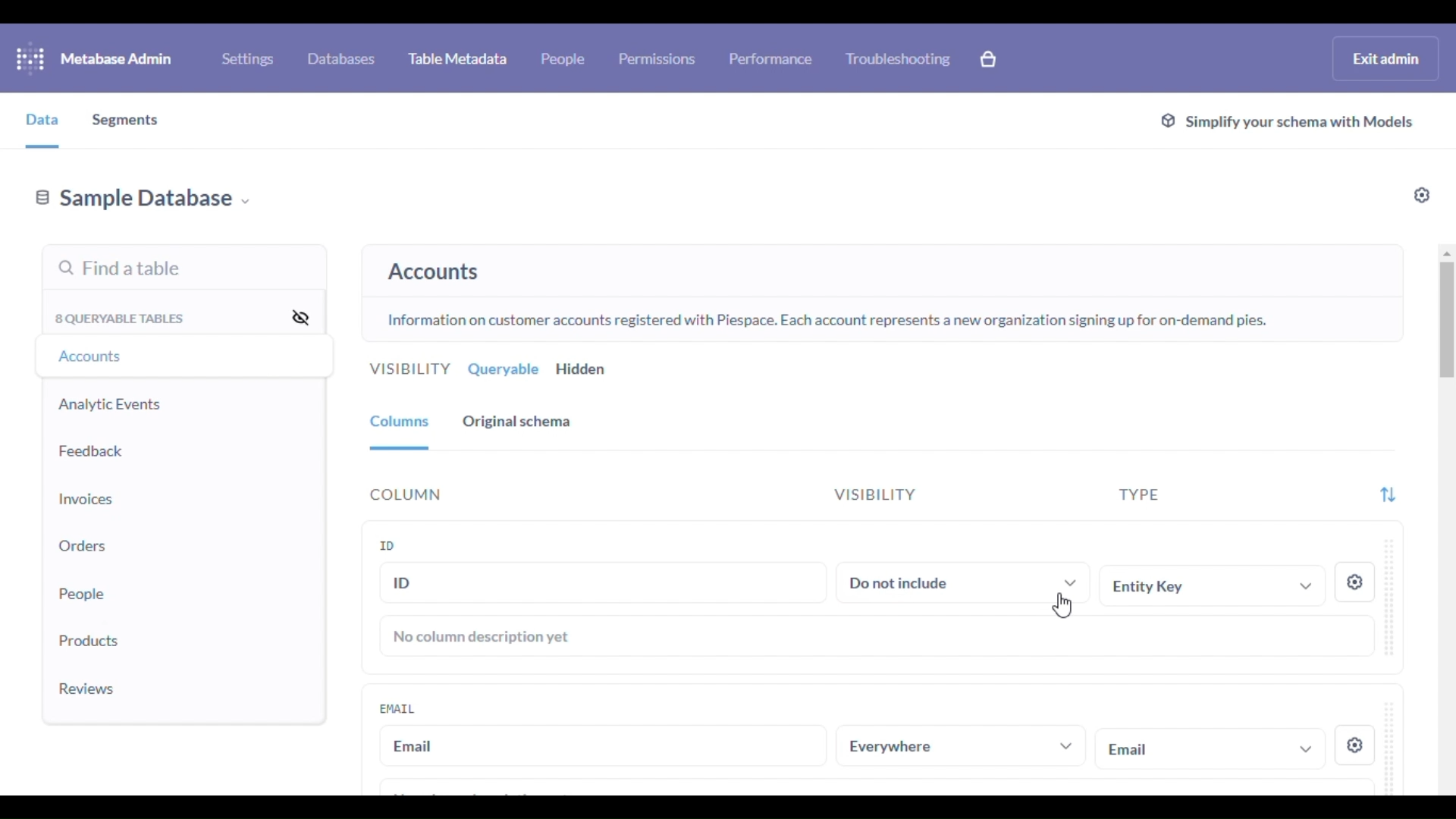 This screenshot has height=819, width=1456. Describe the element at coordinates (1209, 748) in the screenshot. I see `email` at that location.